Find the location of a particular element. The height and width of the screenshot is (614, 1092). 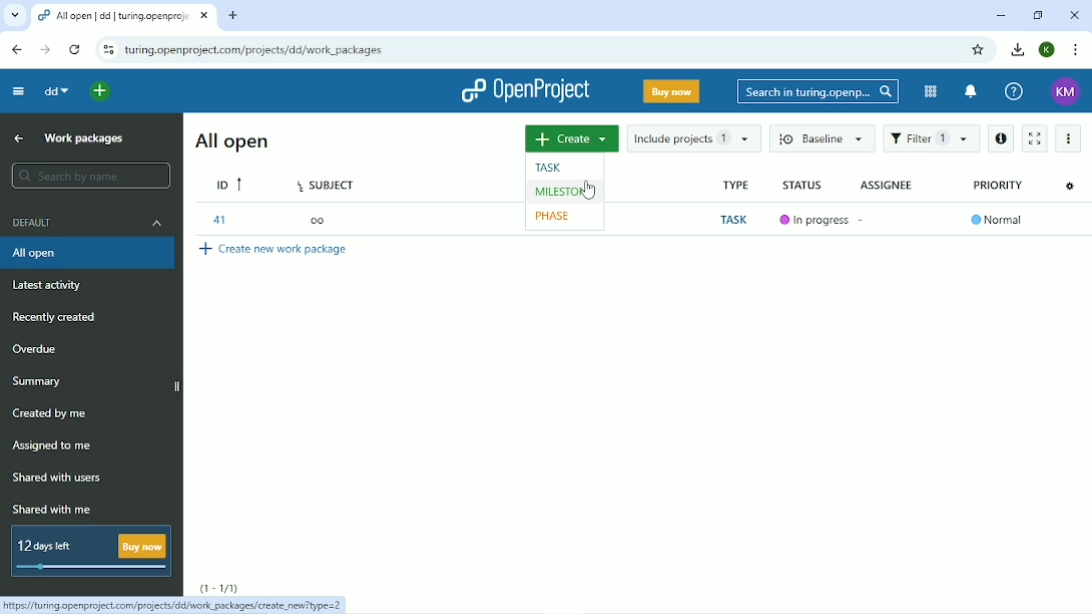

Search by name is located at coordinates (92, 175).